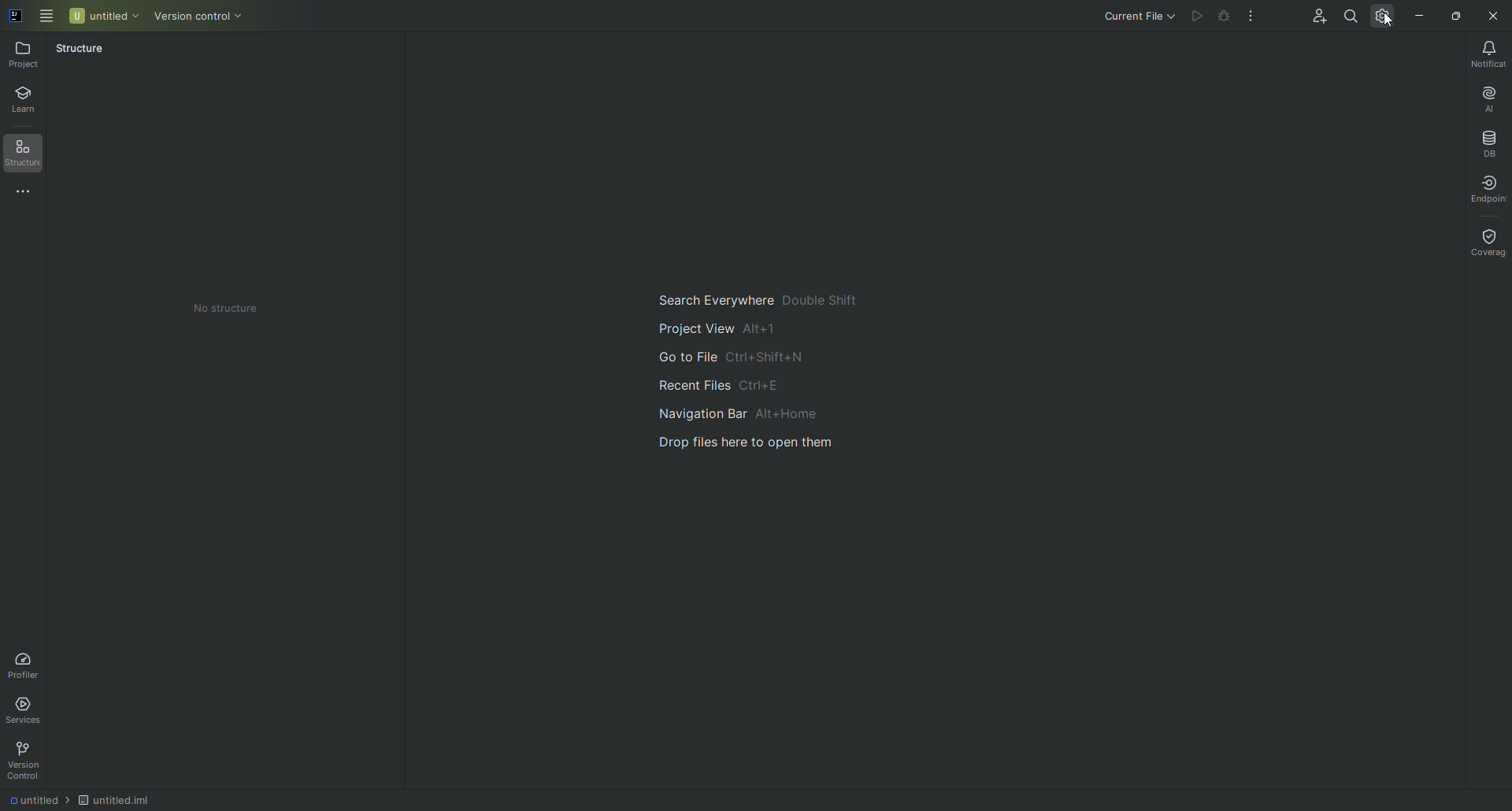 The image size is (1512, 811). I want to click on Notifications, so click(1486, 52).